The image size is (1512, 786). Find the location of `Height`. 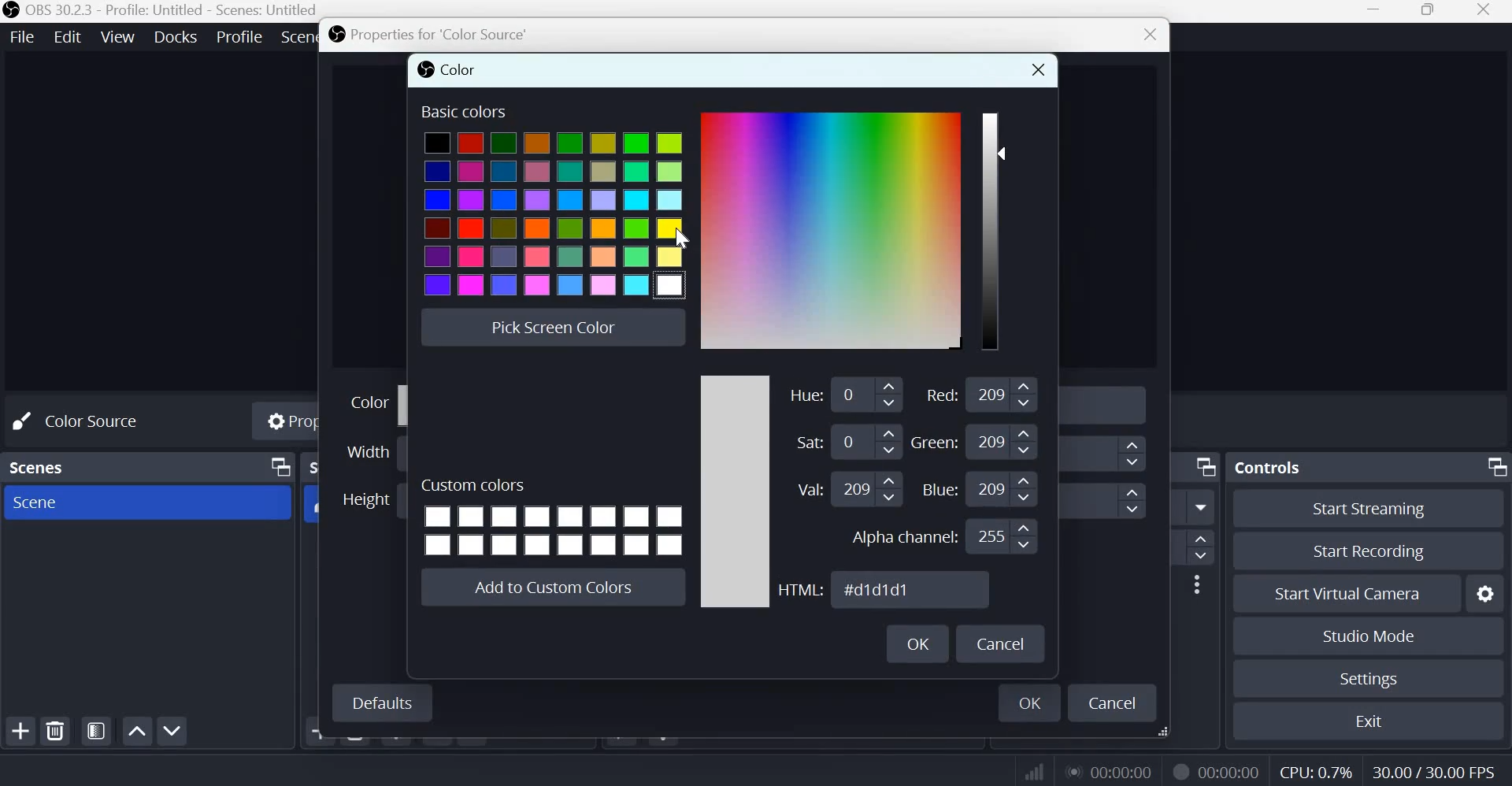

Height is located at coordinates (365, 499).